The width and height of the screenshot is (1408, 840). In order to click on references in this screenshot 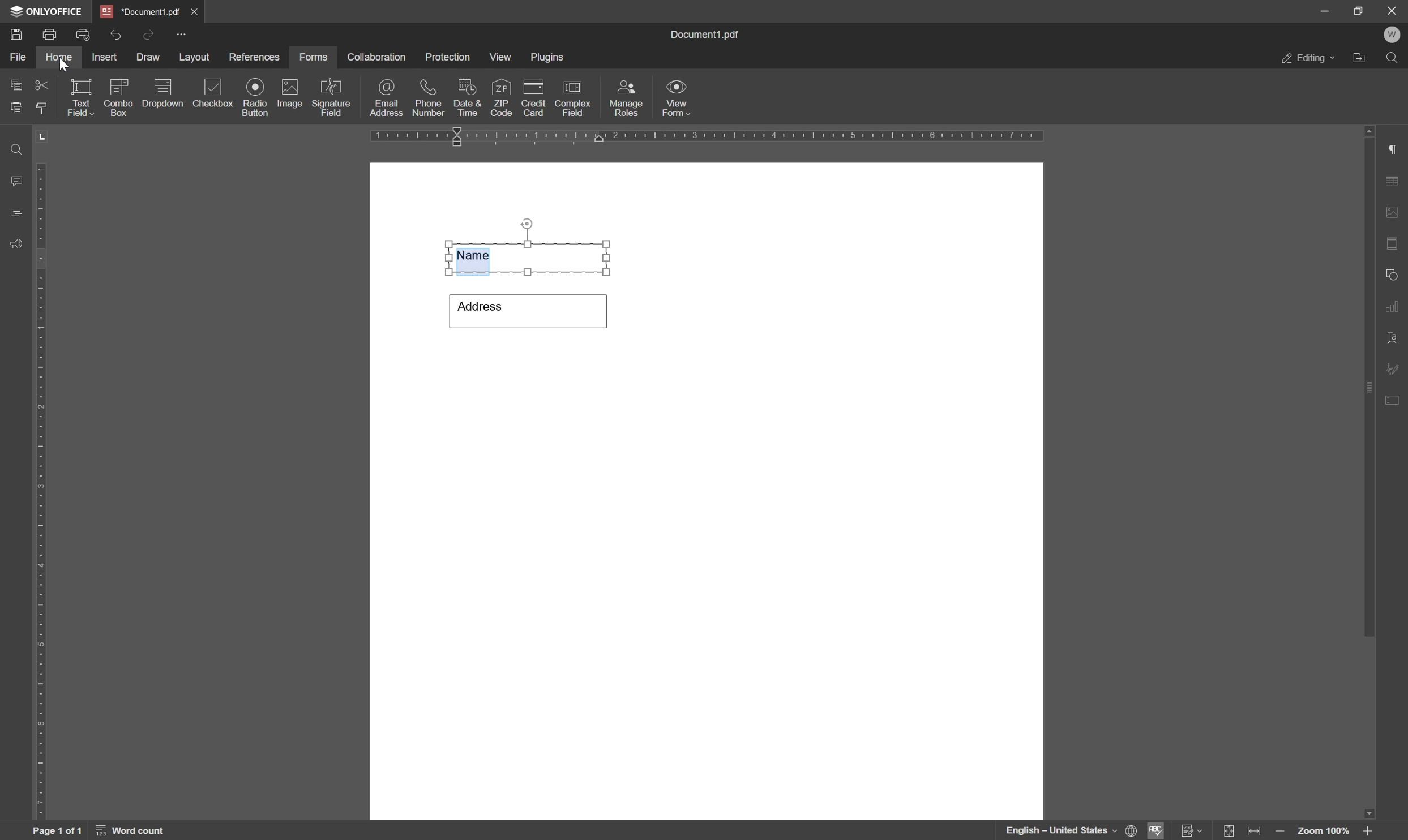, I will do `click(254, 57)`.